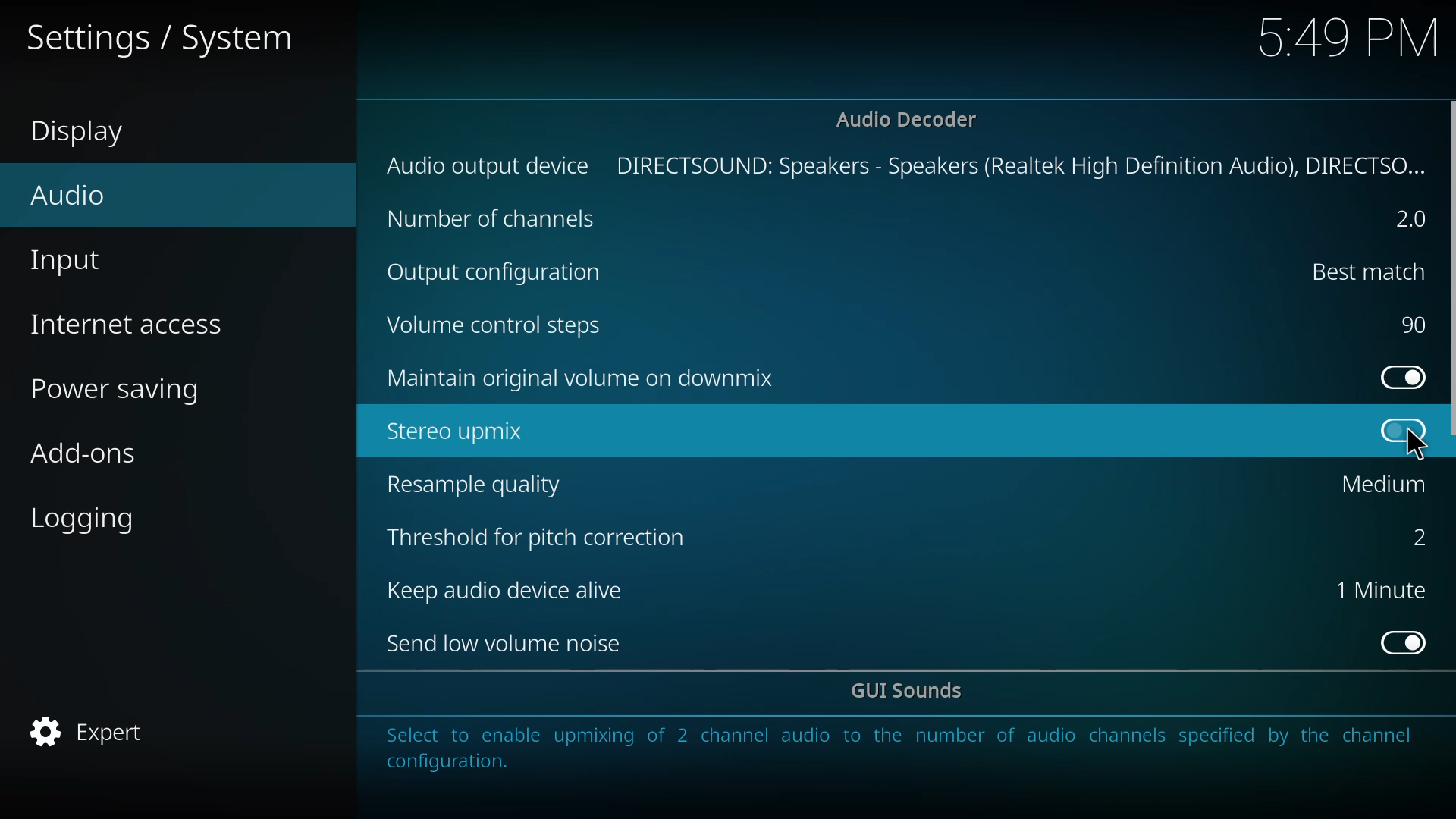  I want to click on keep audio device alive, so click(513, 590).